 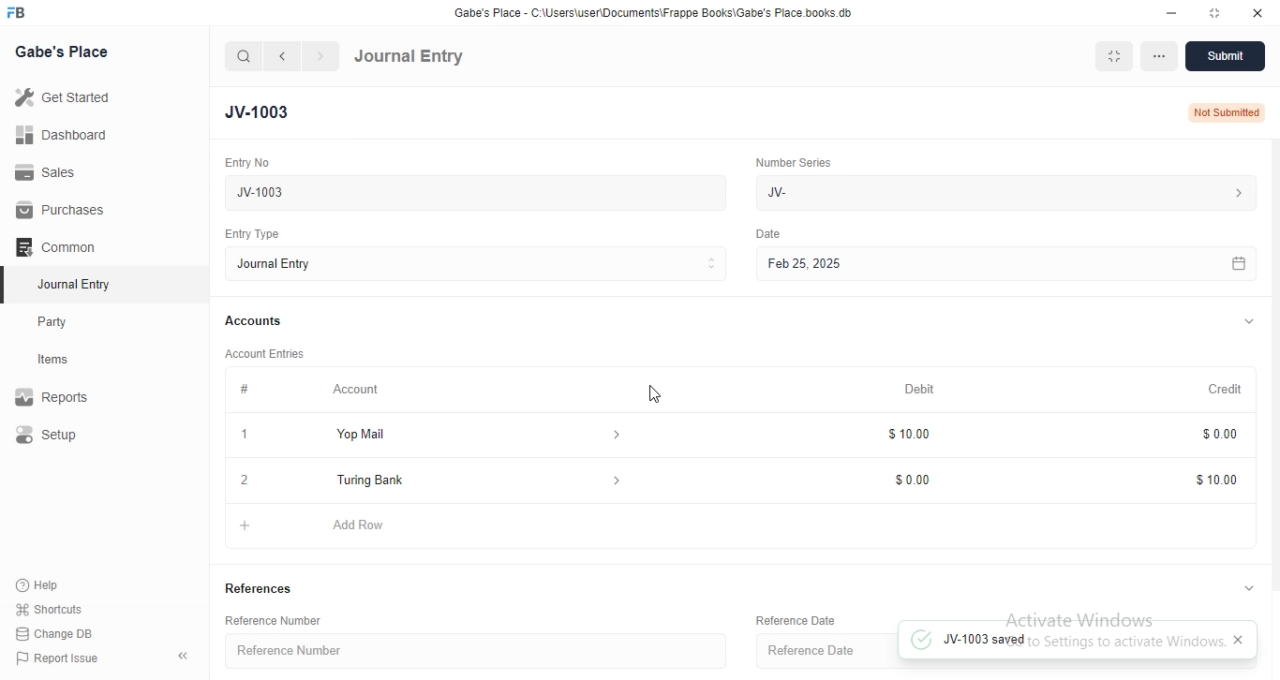 I want to click on Get Started, so click(x=68, y=101).